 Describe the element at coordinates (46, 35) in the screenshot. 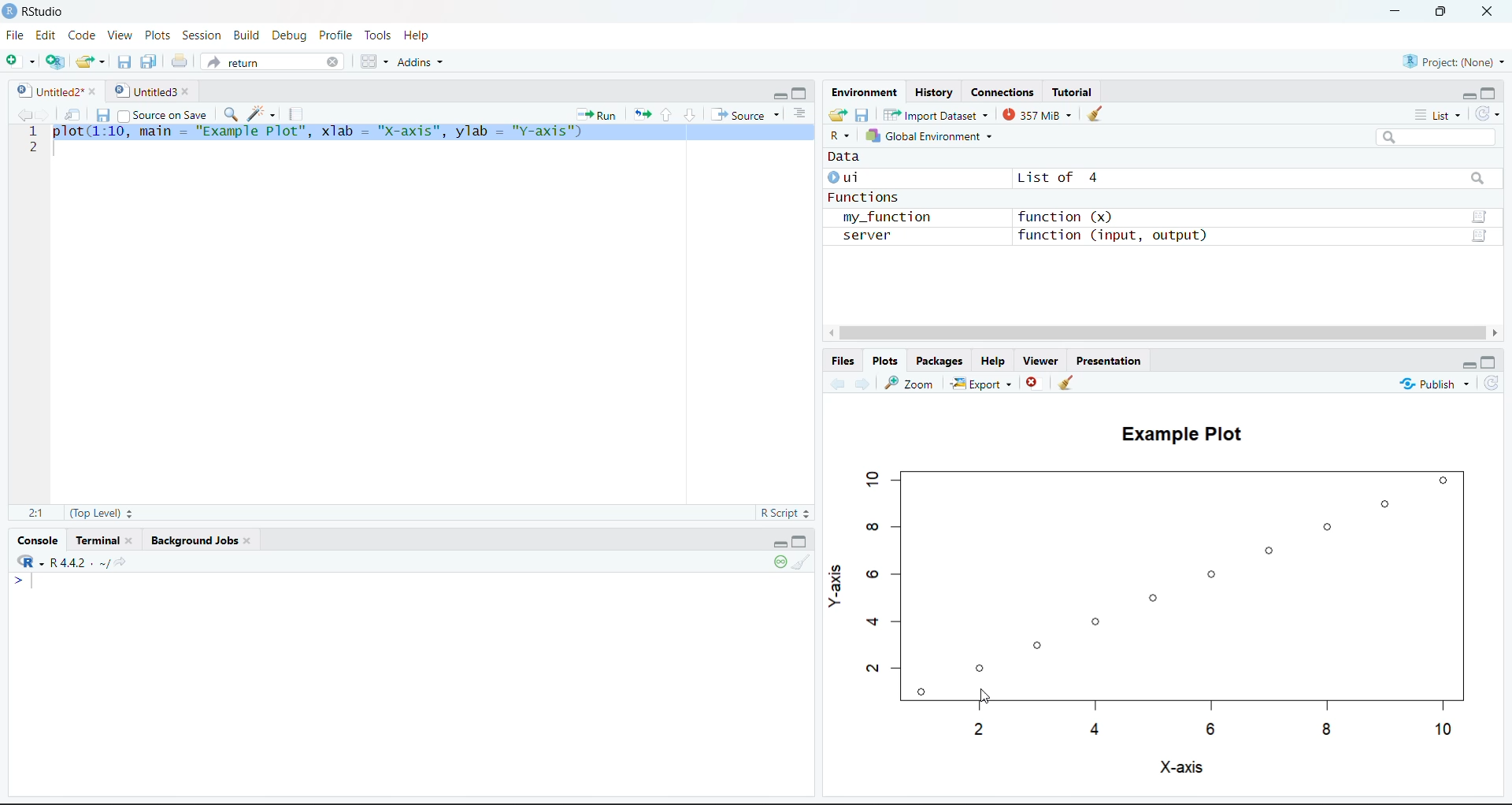

I see `Edit` at that location.